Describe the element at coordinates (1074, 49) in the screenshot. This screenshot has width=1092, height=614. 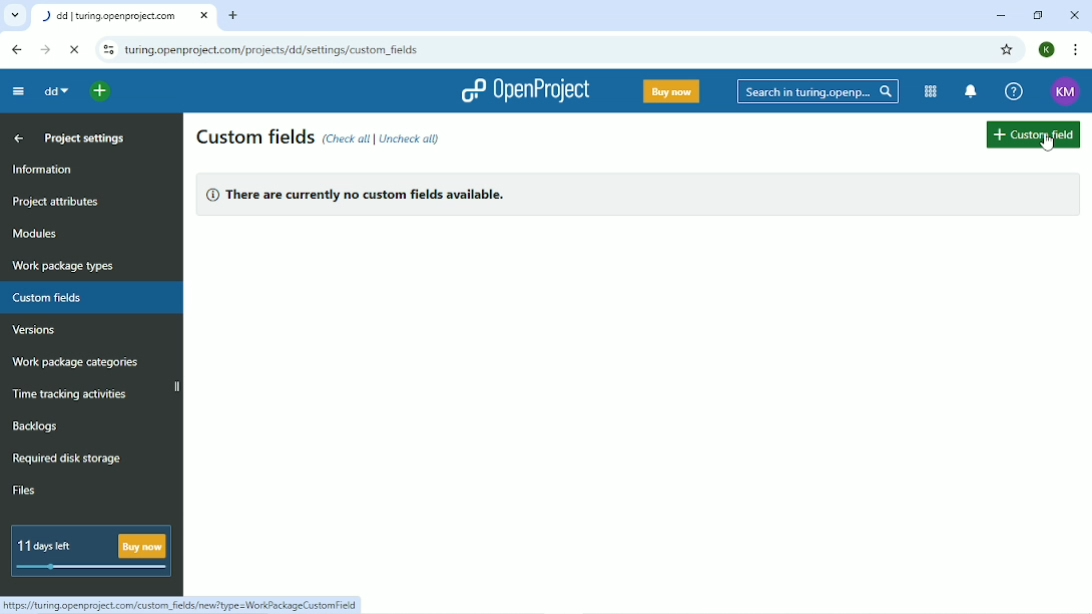
I see `Customize and control google chrome` at that location.